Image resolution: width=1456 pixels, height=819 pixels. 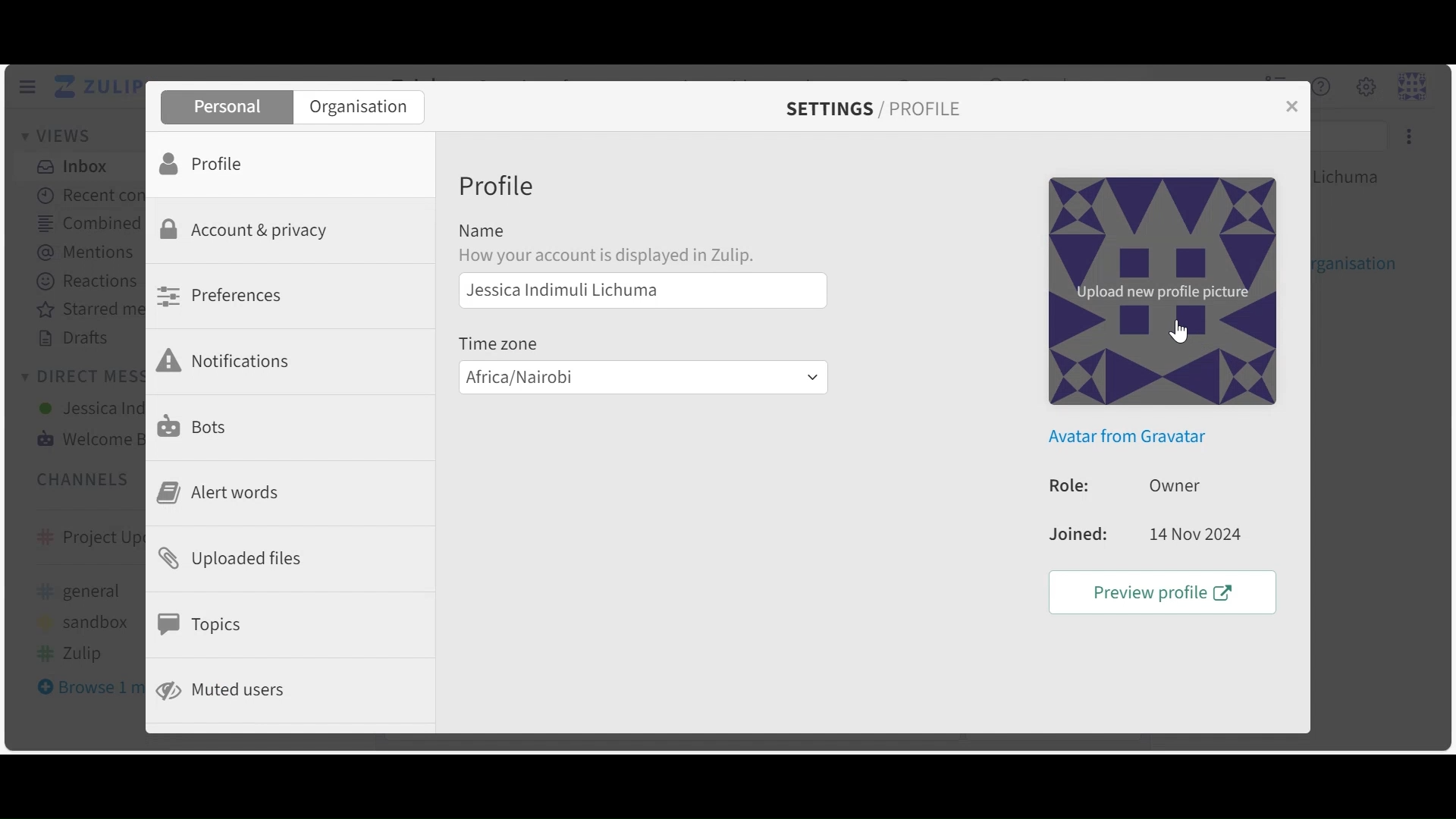 What do you see at coordinates (215, 491) in the screenshot?
I see `Alert Words` at bounding box center [215, 491].